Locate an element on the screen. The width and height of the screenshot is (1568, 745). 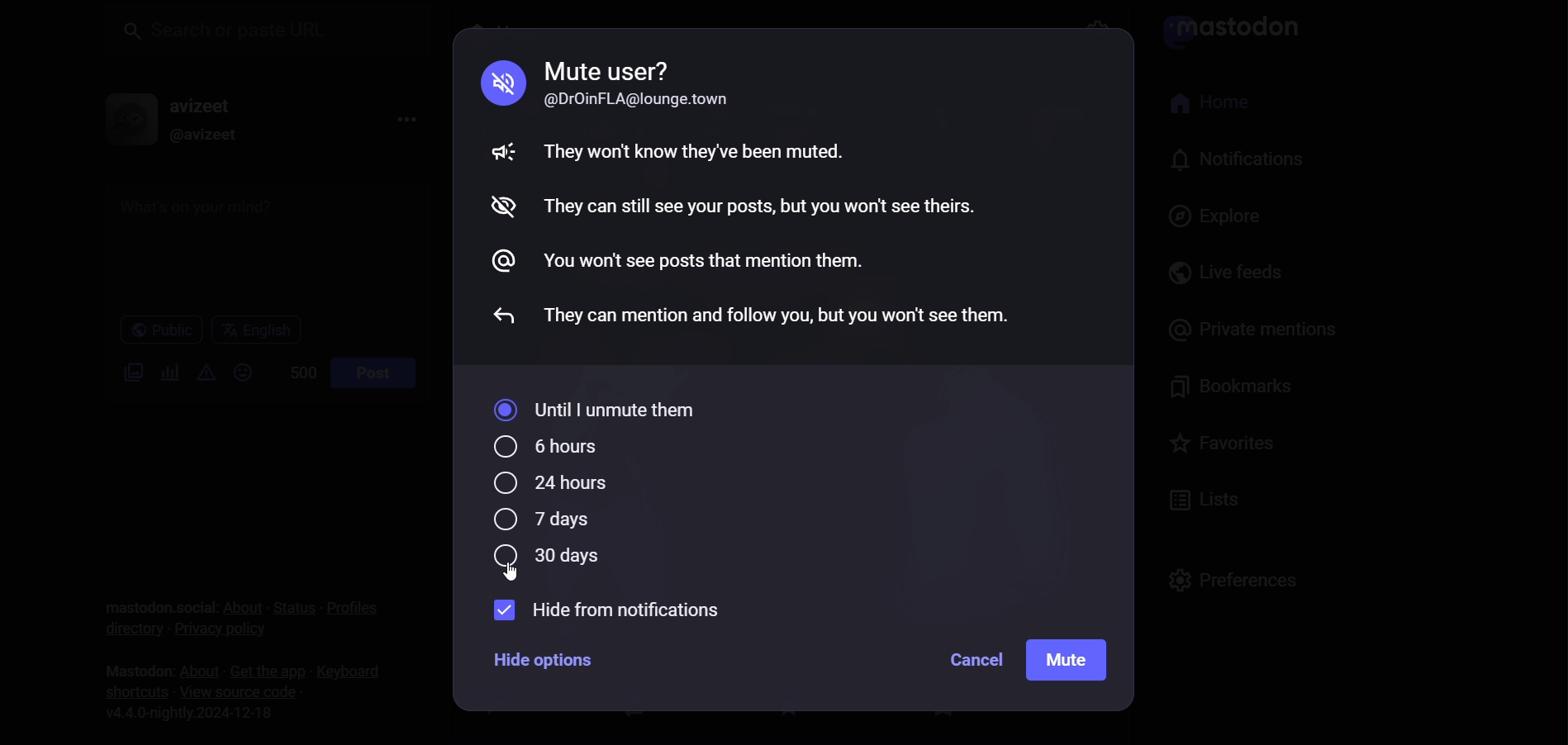
mute guidelines is located at coordinates (781, 201).